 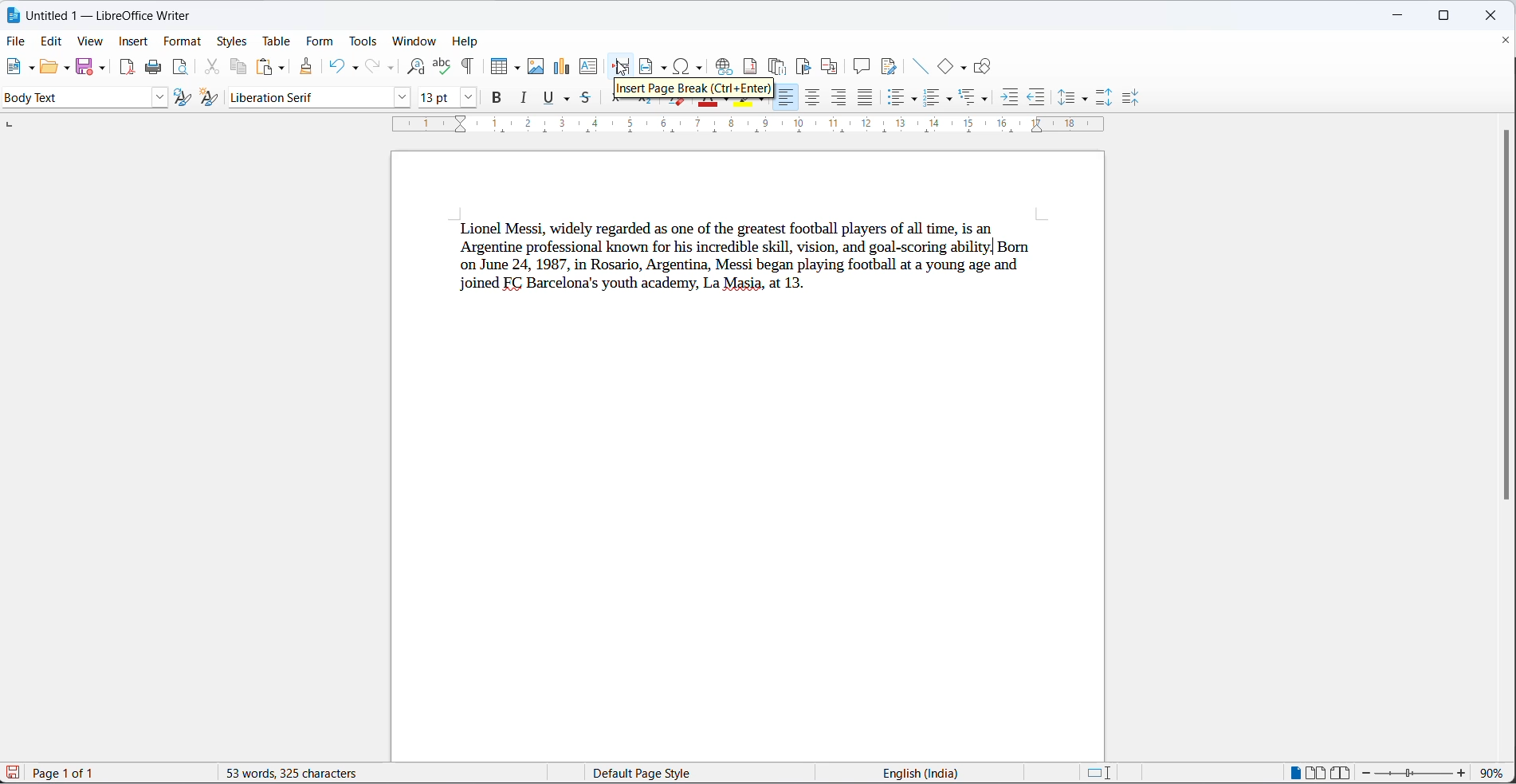 What do you see at coordinates (299, 774) in the screenshot?
I see `words and character count` at bounding box center [299, 774].